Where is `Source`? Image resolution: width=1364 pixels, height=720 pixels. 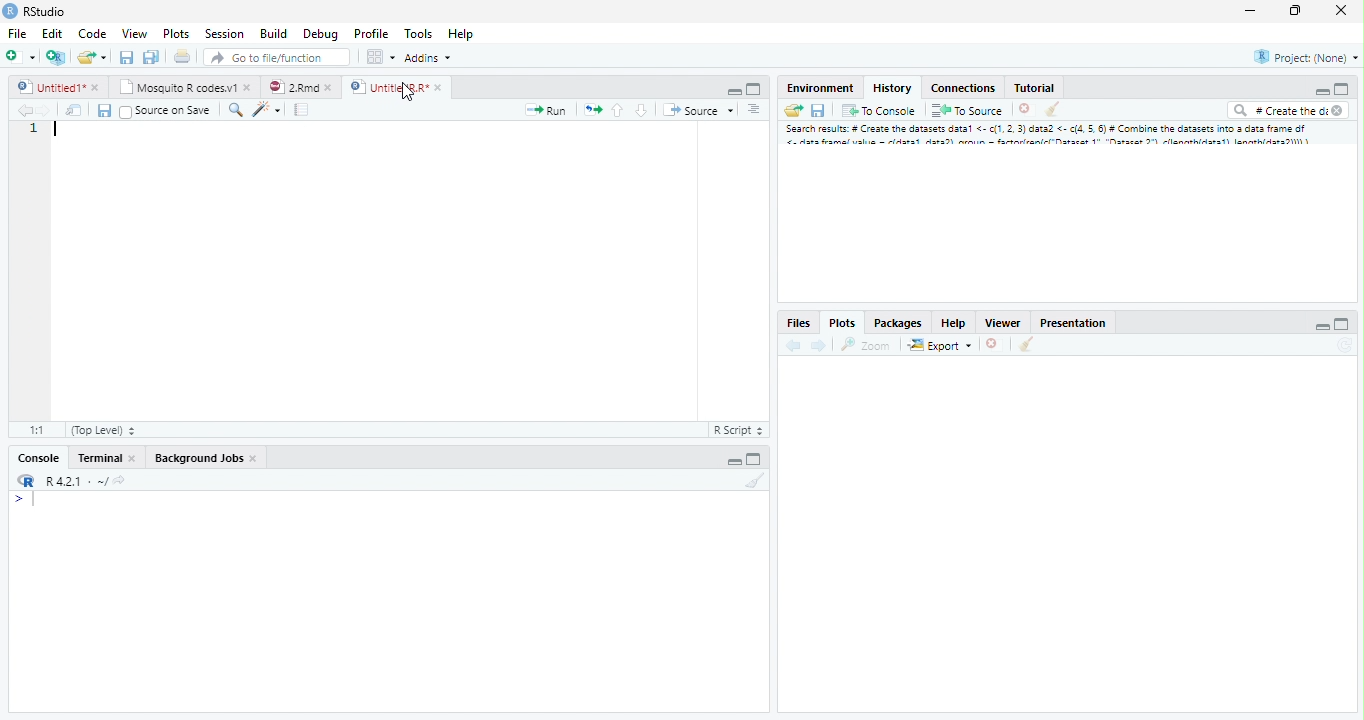 Source is located at coordinates (698, 112).